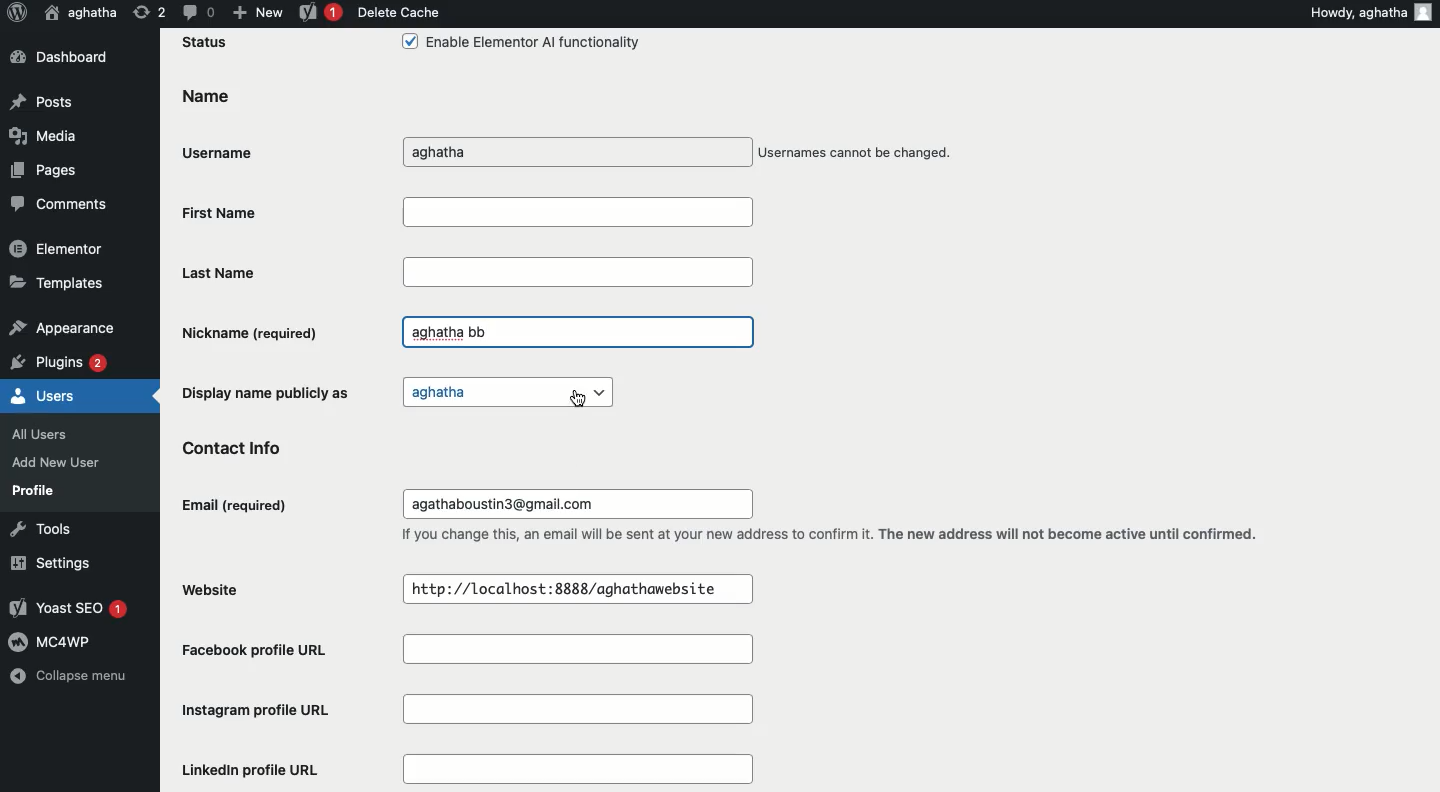 This screenshot has height=792, width=1440. I want to click on Logo, so click(16, 13).